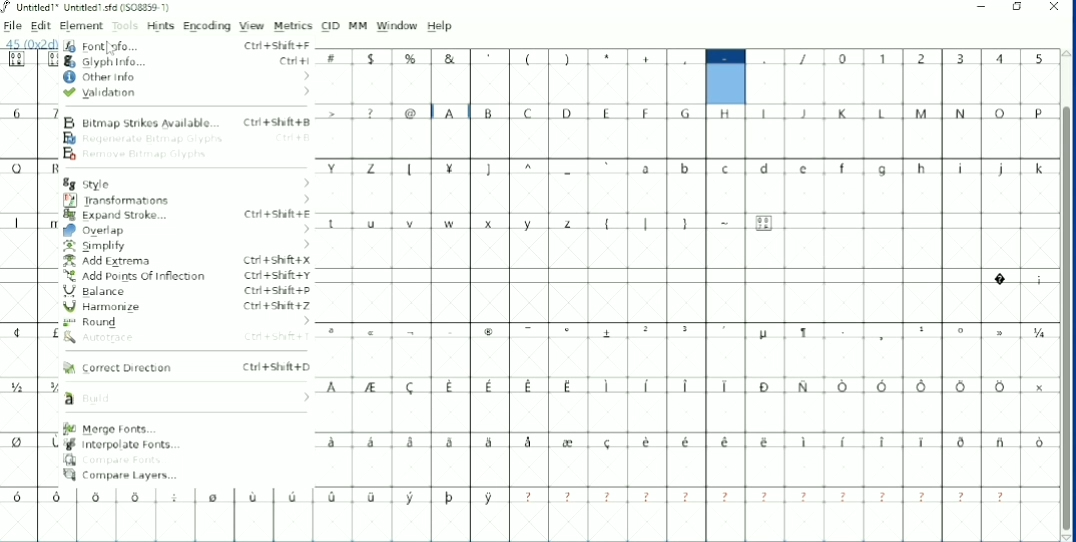 Image resolution: width=1076 pixels, height=542 pixels. Describe the element at coordinates (186, 368) in the screenshot. I see `Correct Direction` at that location.